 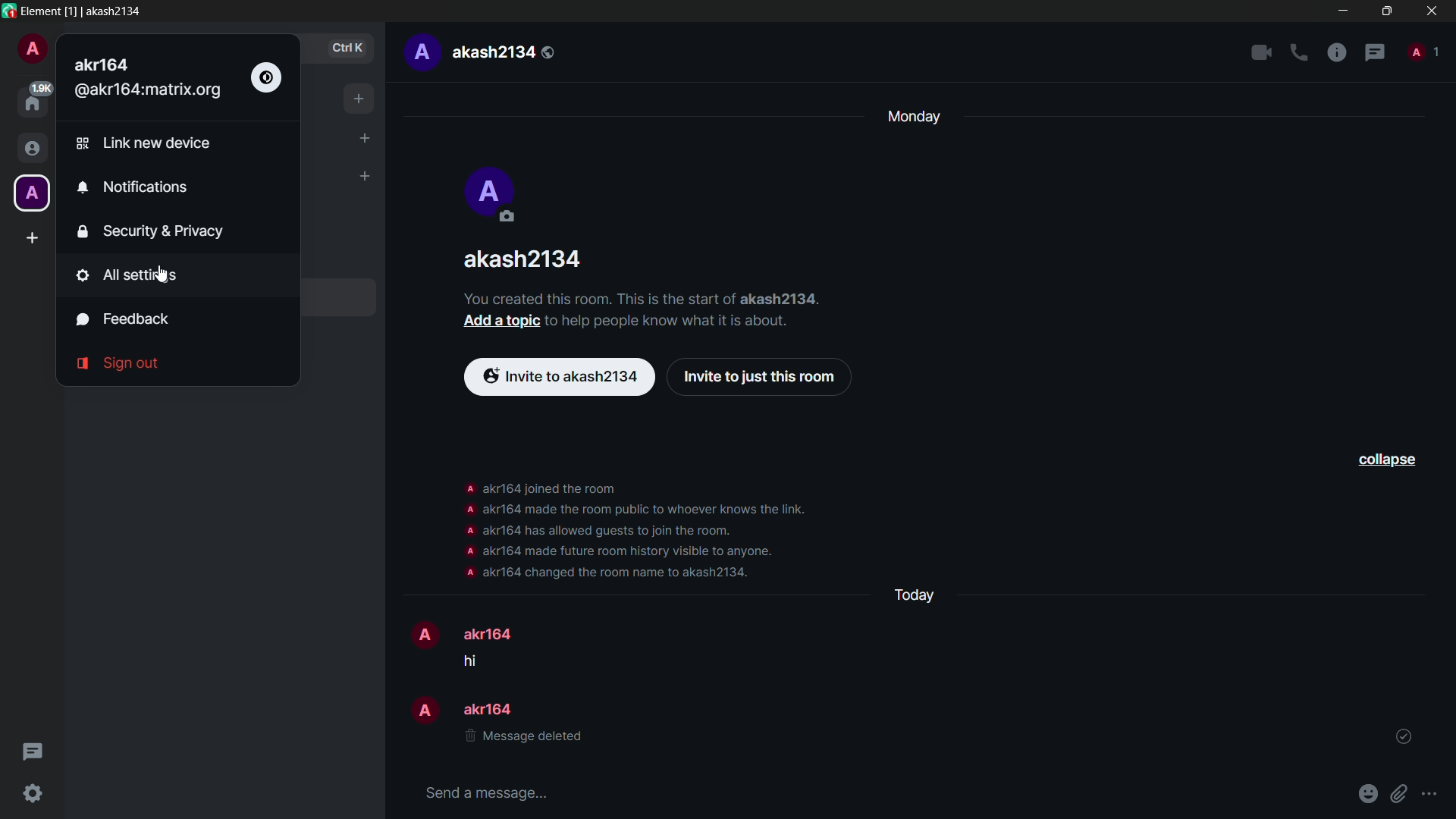 What do you see at coordinates (143, 143) in the screenshot?
I see `link new device` at bounding box center [143, 143].